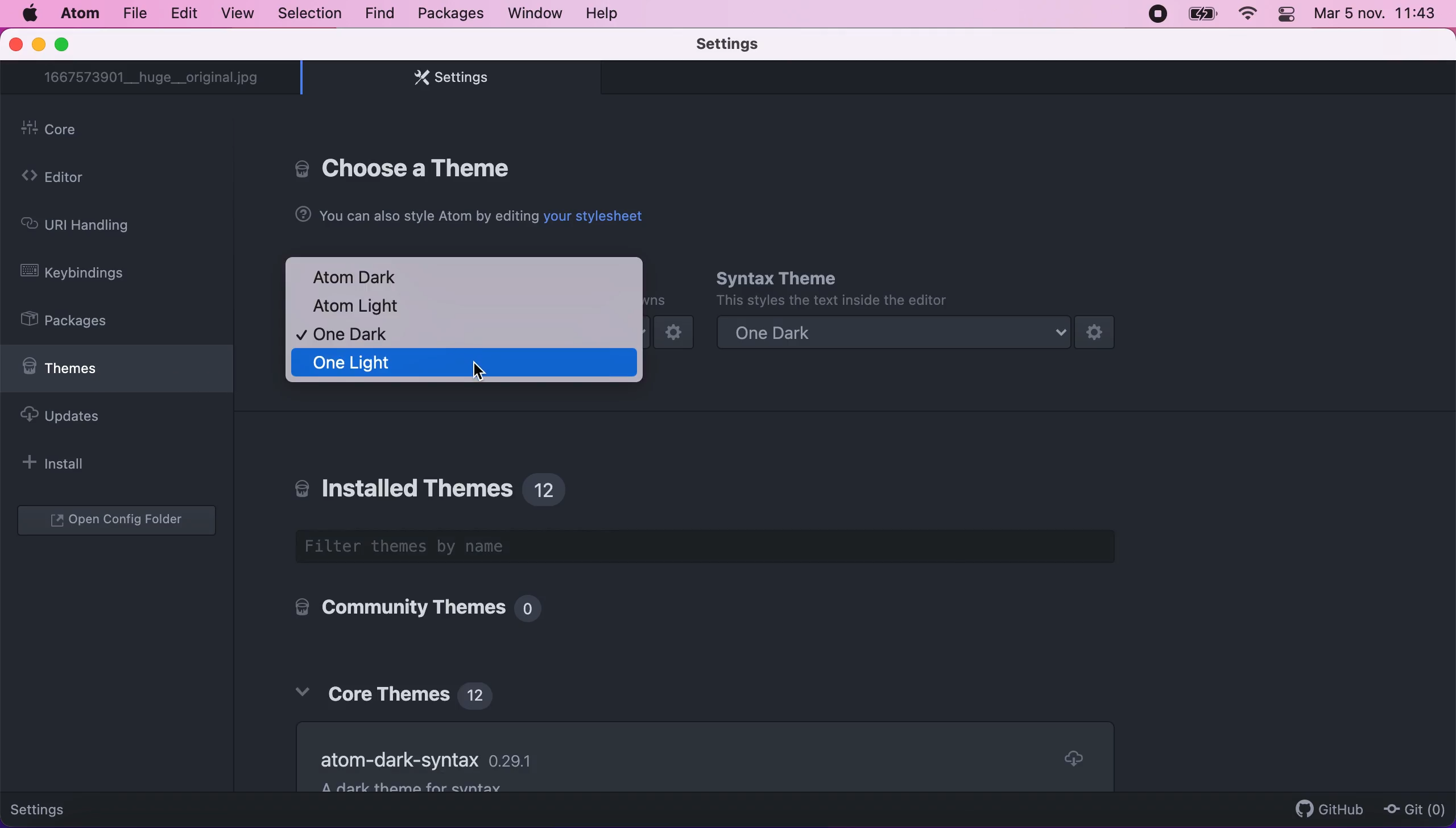 The width and height of the screenshot is (1456, 828). What do you see at coordinates (184, 13) in the screenshot?
I see `edit` at bounding box center [184, 13].